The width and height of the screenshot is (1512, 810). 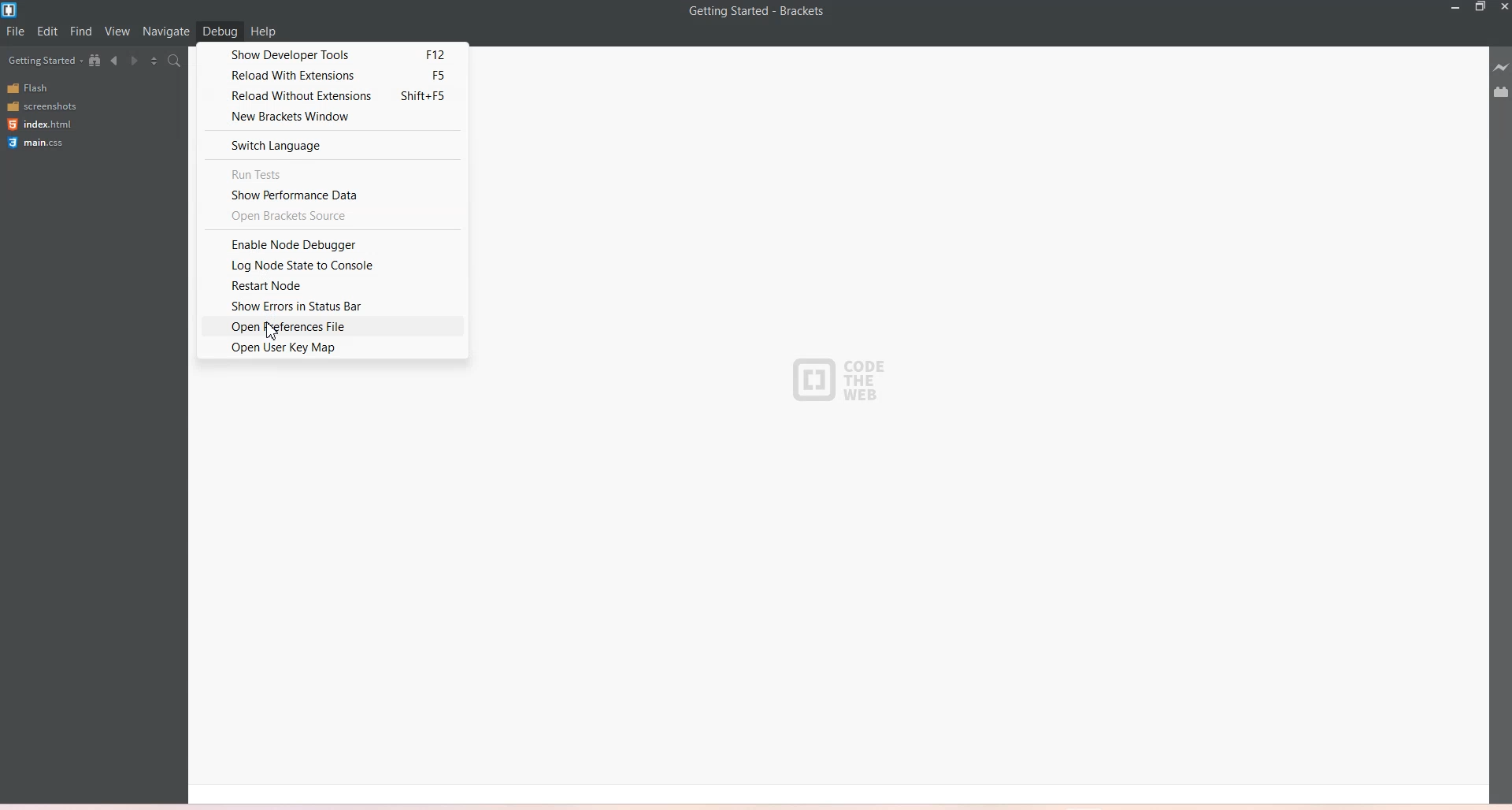 What do you see at coordinates (331, 327) in the screenshot?
I see `Open preferences file` at bounding box center [331, 327].